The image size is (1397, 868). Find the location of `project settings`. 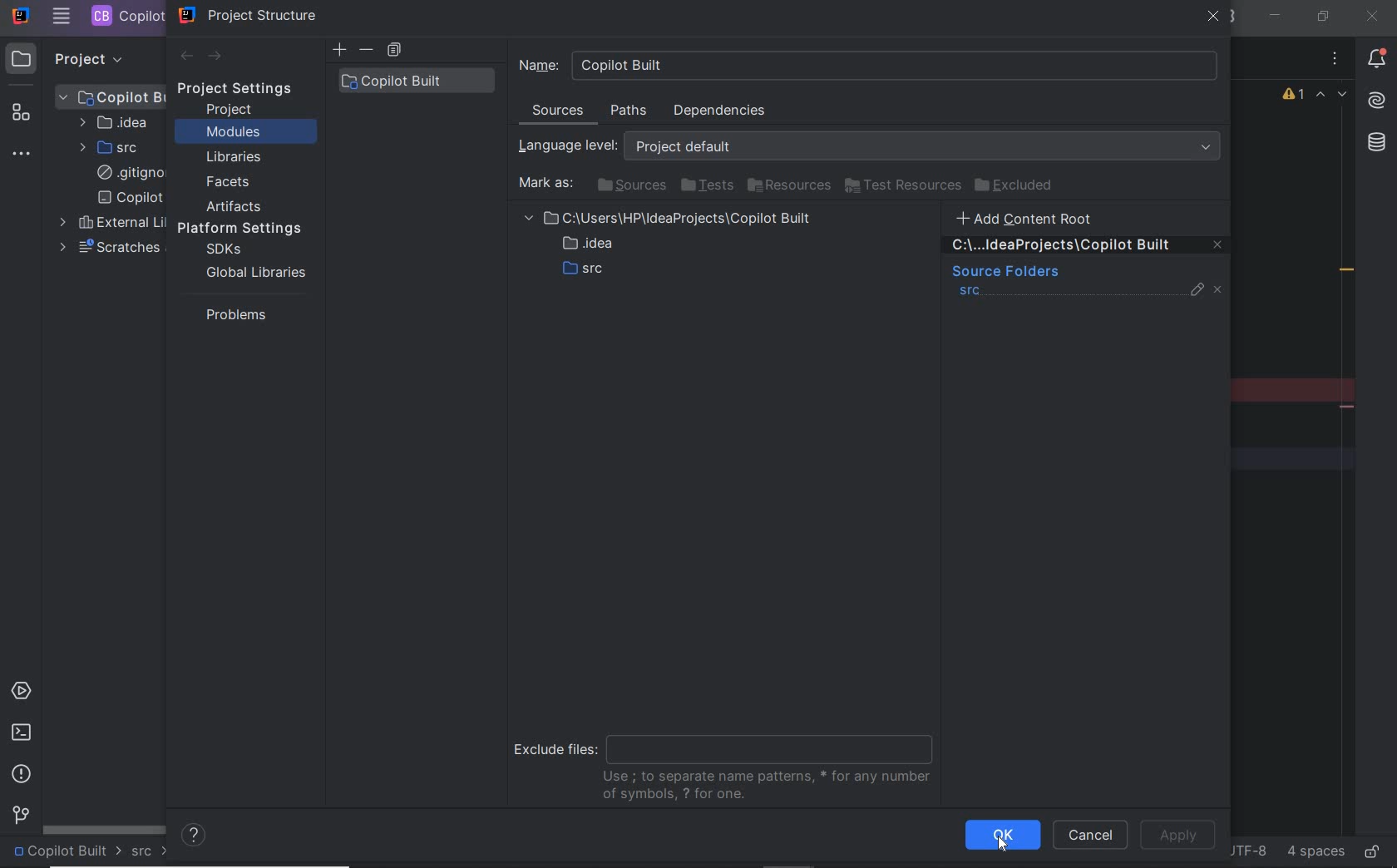

project settings is located at coordinates (246, 89).